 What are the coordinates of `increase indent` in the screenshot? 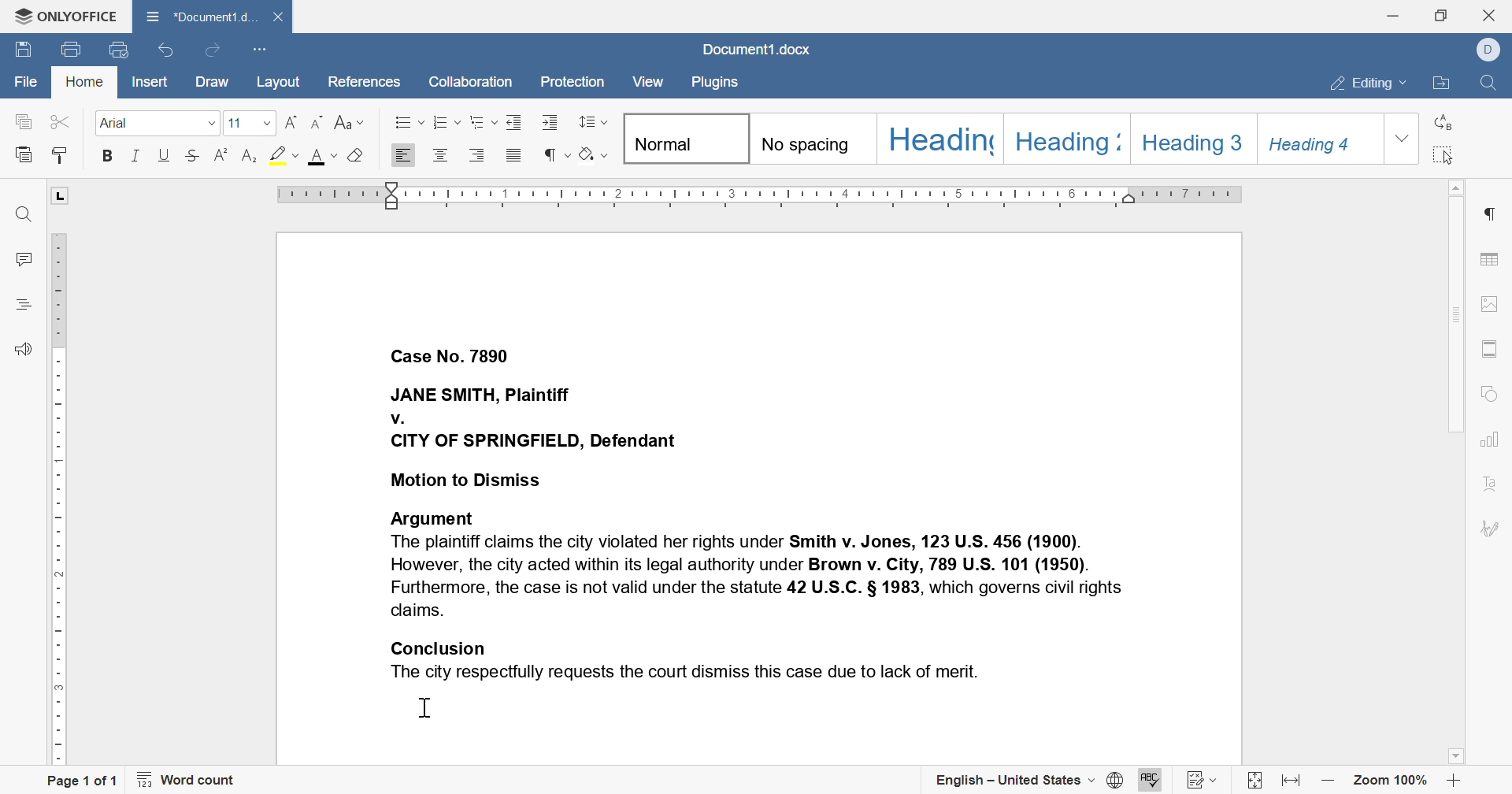 It's located at (552, 122).